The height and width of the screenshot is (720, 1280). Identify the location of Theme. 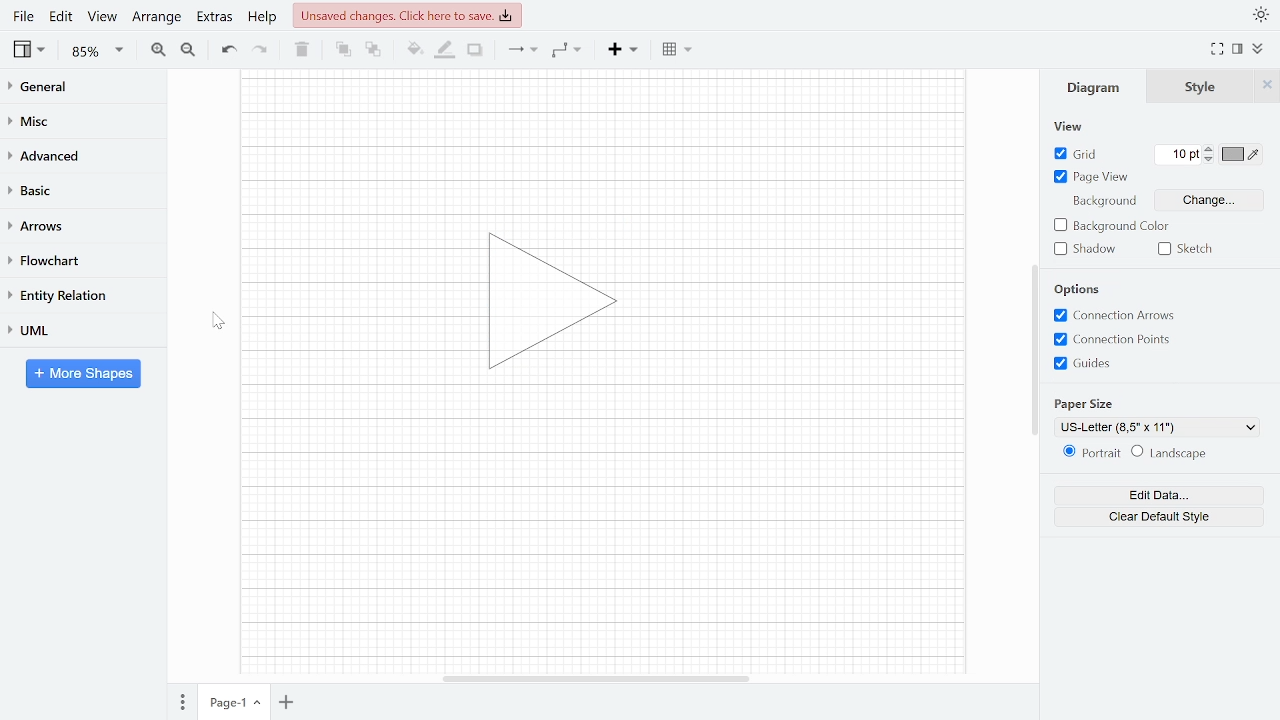
(1262, 14).